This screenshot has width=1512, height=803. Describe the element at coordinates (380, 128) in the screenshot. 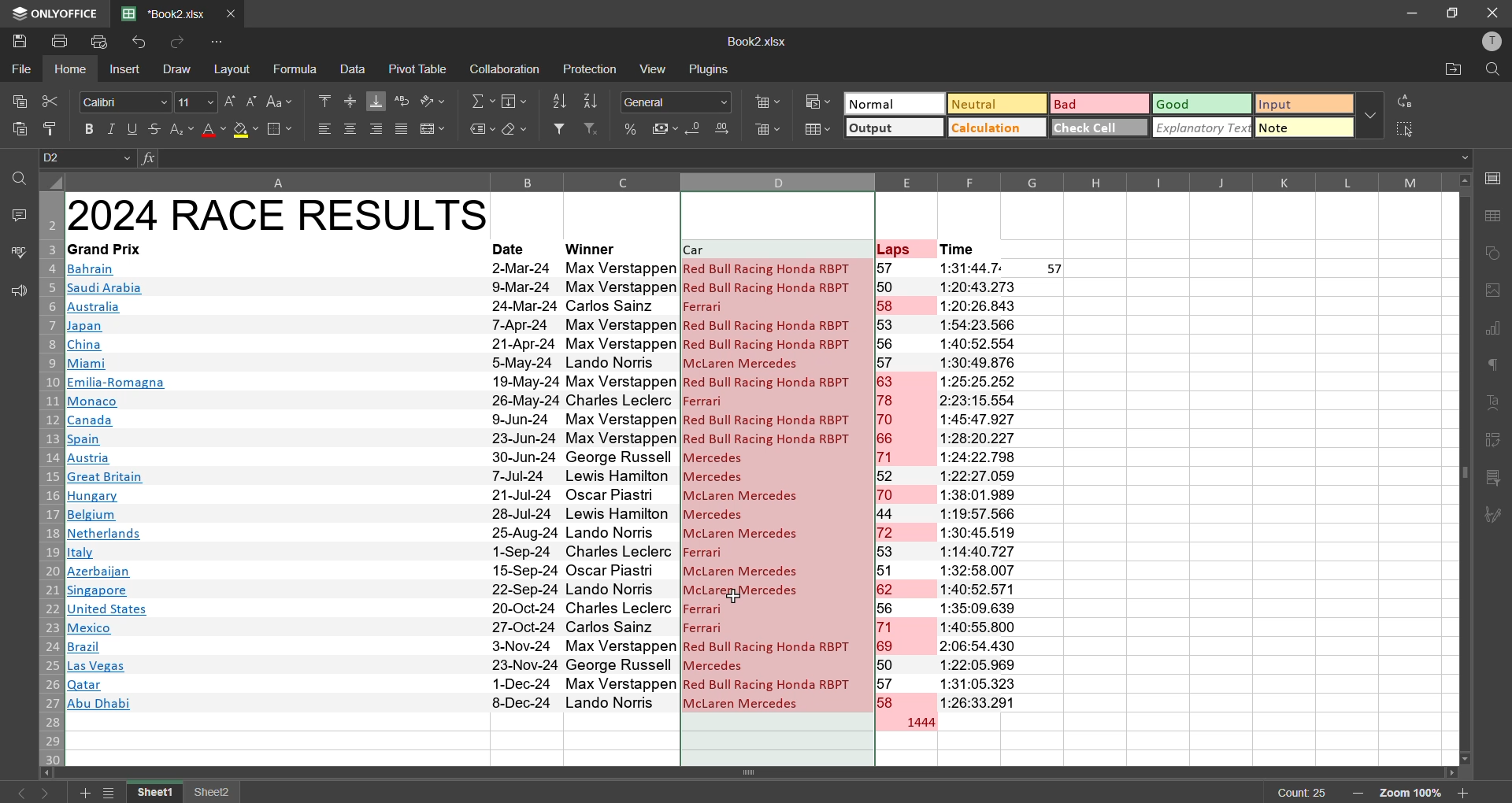

I see `align right` at that location.